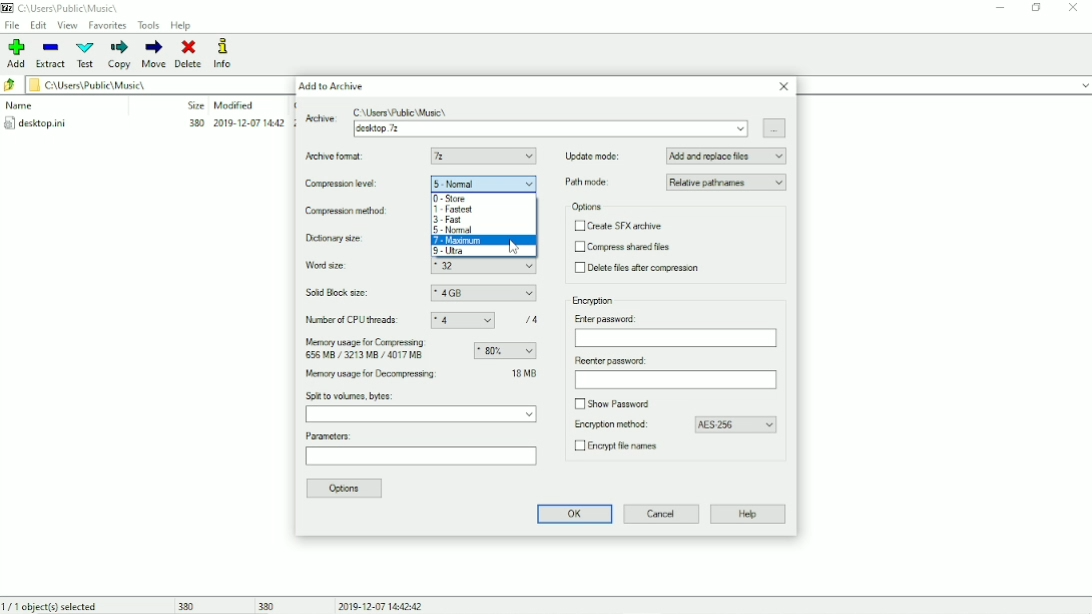 The image size is (1092, 614). I want to click on Word size, so click(343, 266).